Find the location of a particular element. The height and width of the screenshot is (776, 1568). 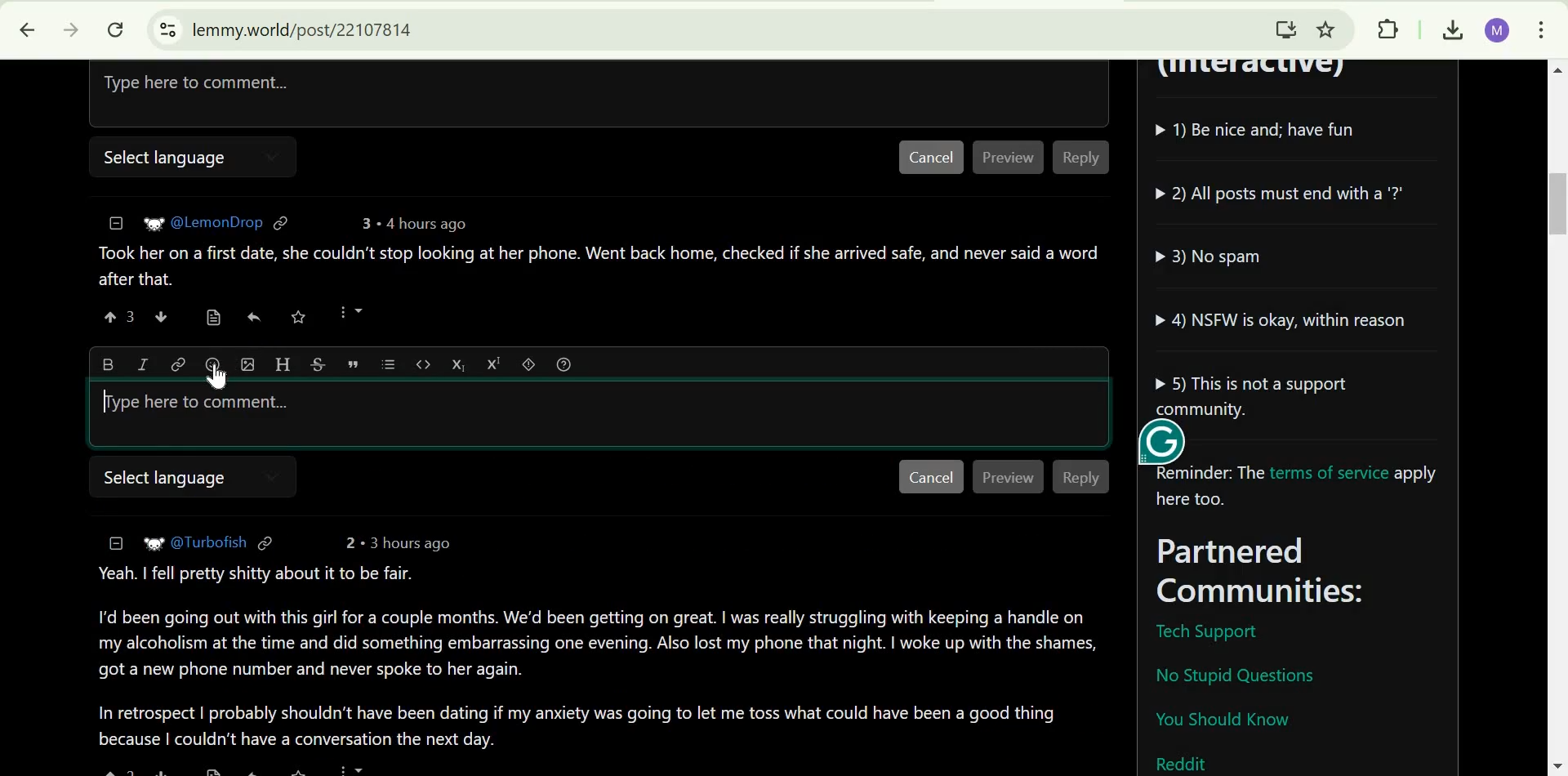

picture is located at coordinates (154, 222).